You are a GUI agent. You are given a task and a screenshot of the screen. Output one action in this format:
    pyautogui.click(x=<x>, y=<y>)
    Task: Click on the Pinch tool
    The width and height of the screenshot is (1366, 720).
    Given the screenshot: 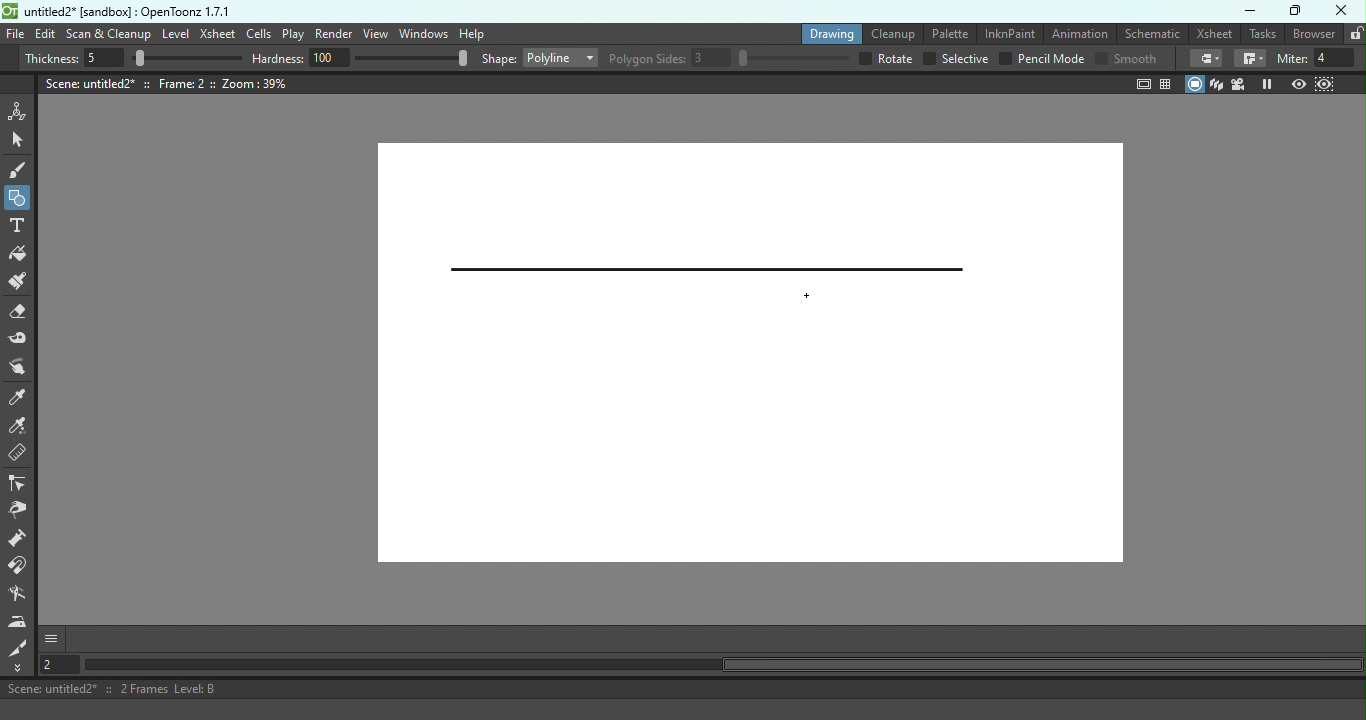 What is the action you would take?
    pyautogui.click(x=23, y=511)
    